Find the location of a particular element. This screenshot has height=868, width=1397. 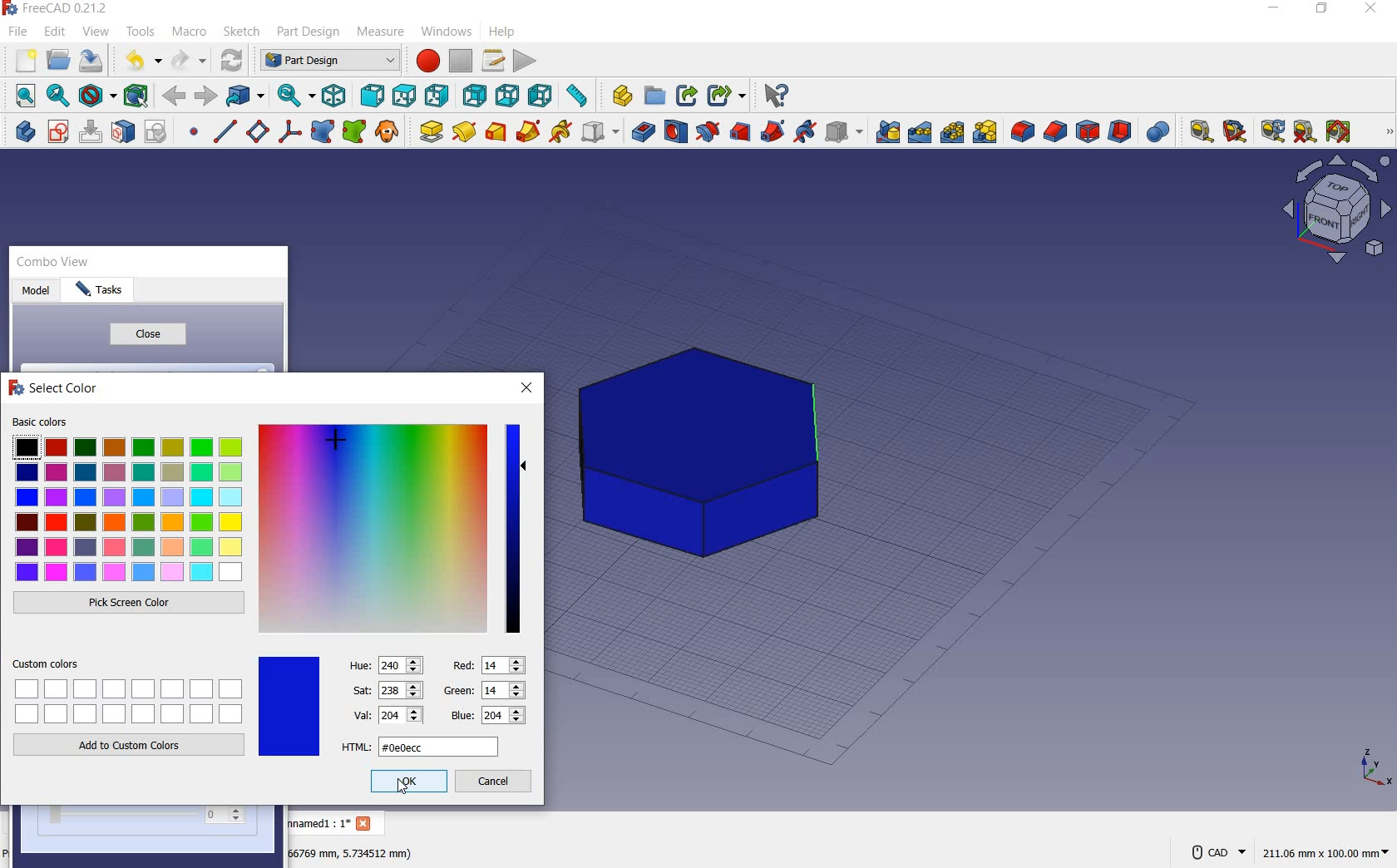

groove is located at coordinates (706, 132).